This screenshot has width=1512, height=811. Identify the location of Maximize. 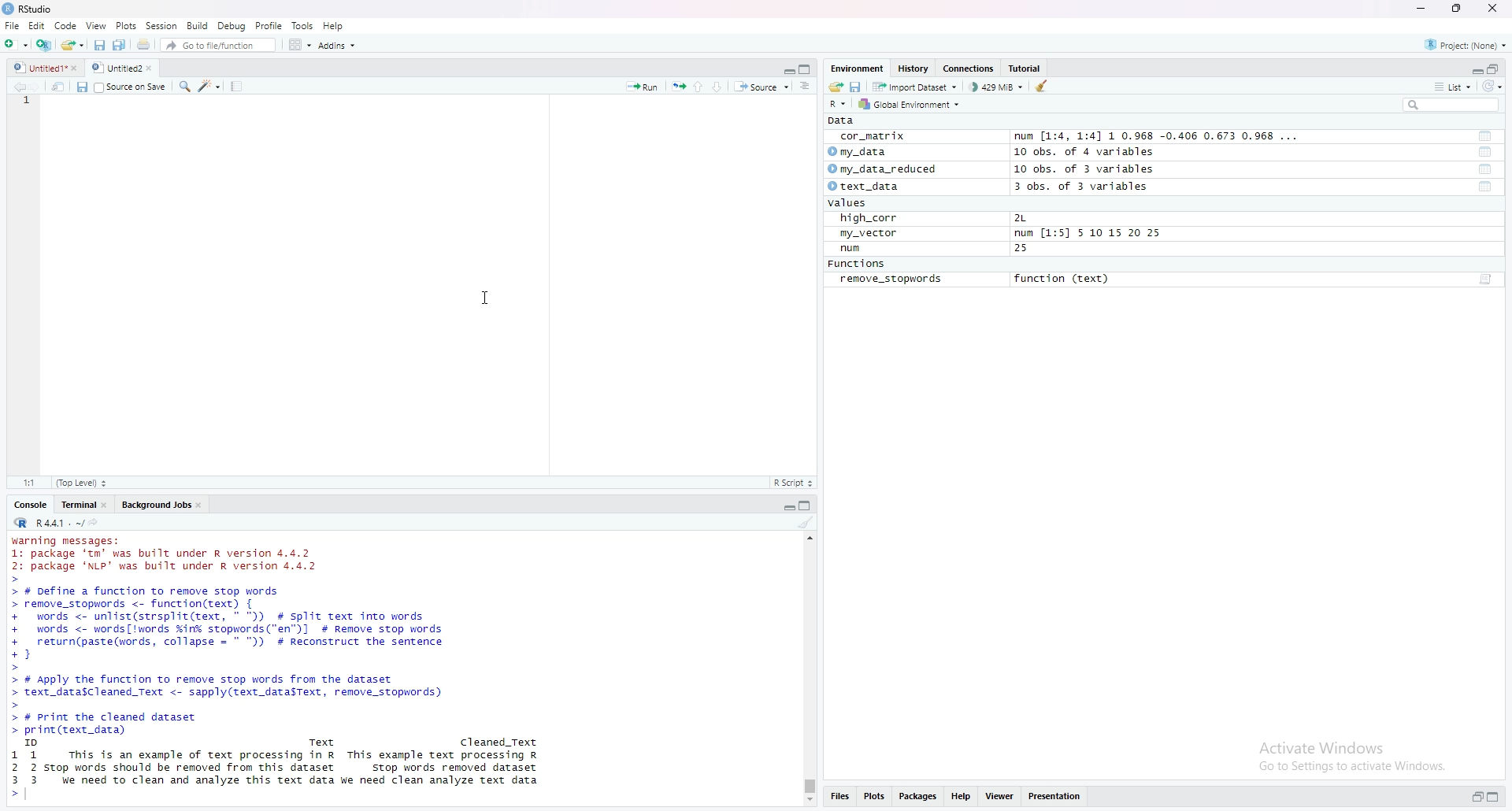
(1493, 796).